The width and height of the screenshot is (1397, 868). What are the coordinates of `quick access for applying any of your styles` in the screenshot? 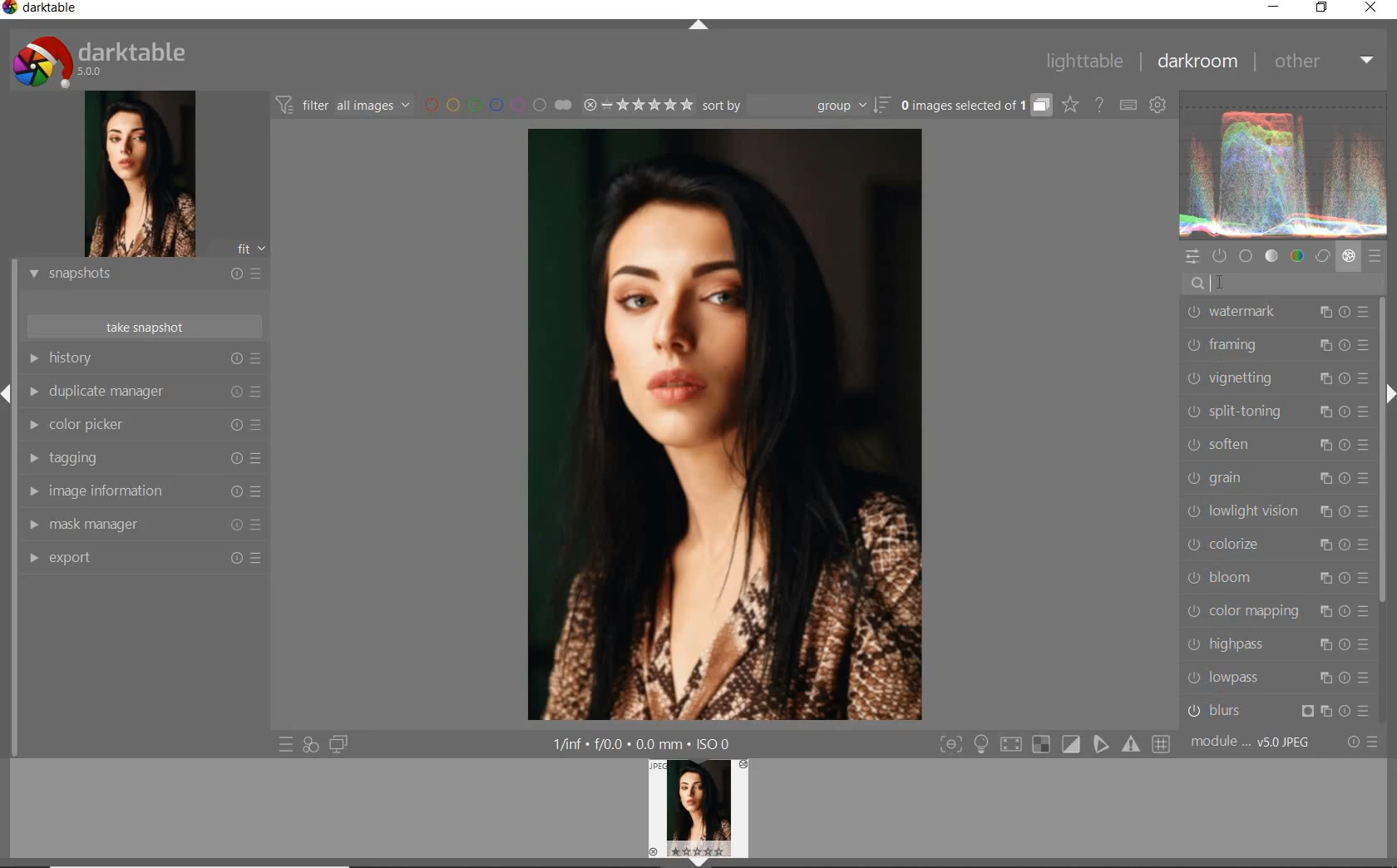 It's located at (310, 745).